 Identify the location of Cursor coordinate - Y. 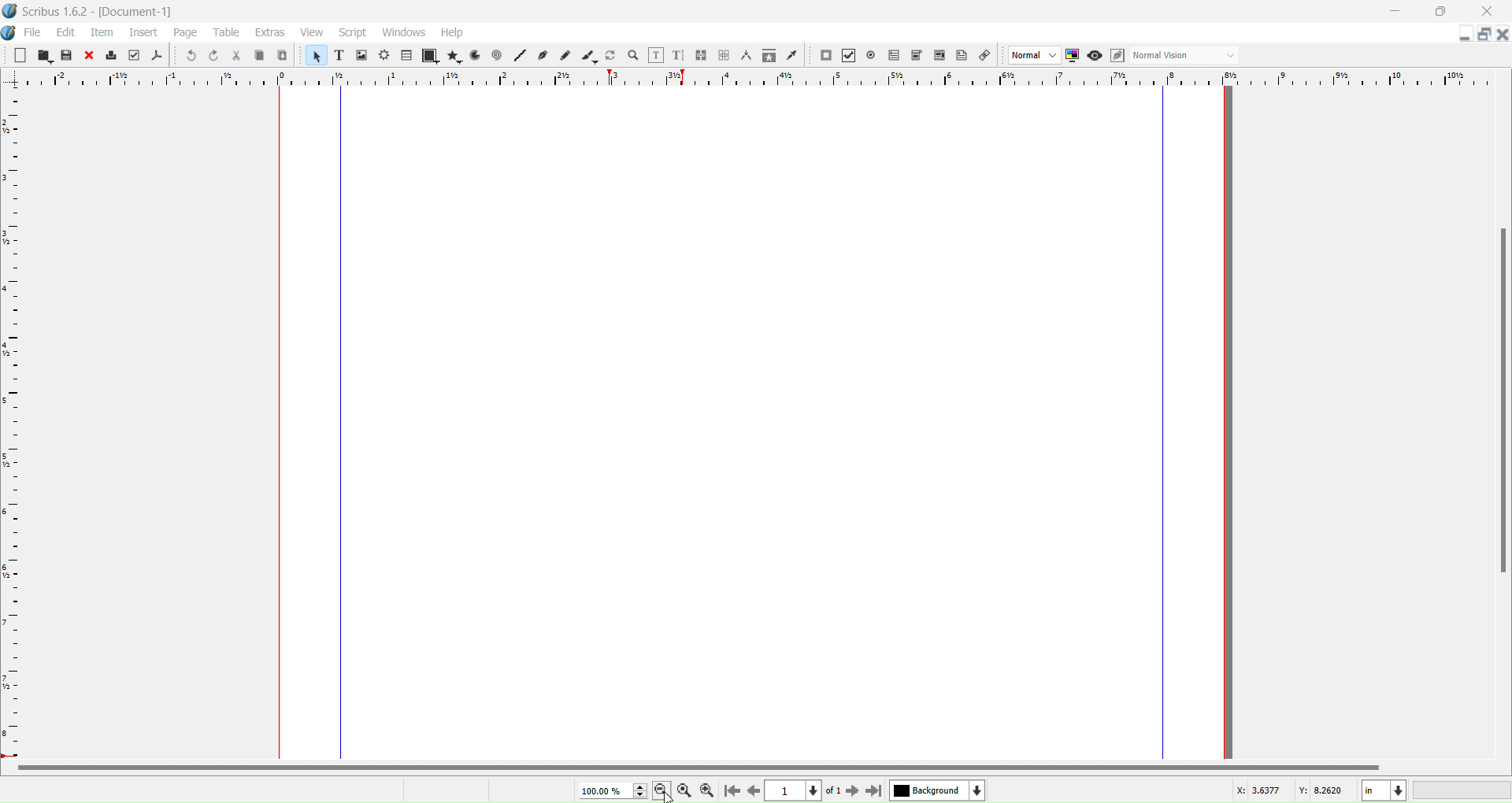
(1324, 792).